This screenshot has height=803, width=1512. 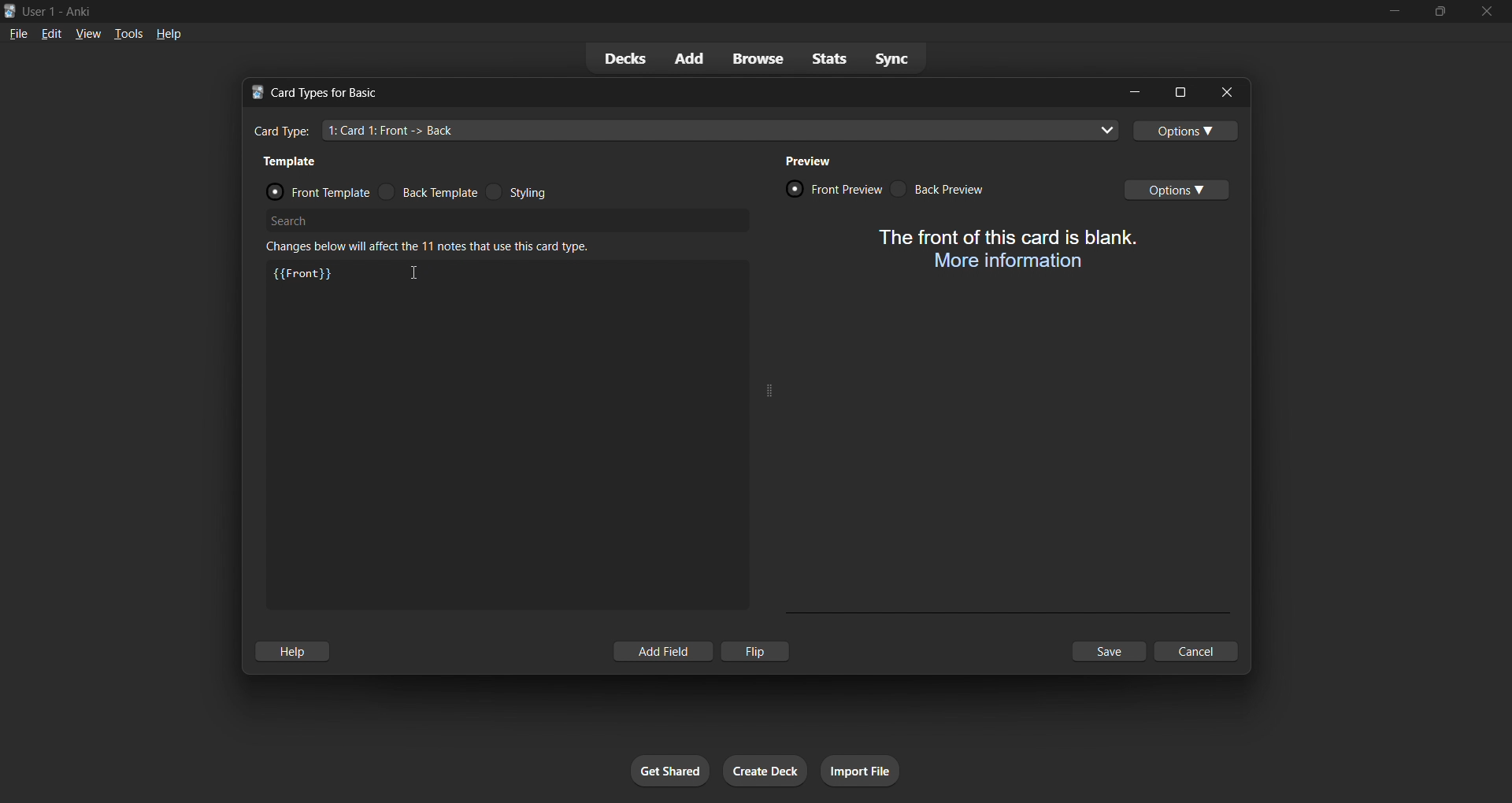 I want to click on hlep, so click(x=298, y=652).